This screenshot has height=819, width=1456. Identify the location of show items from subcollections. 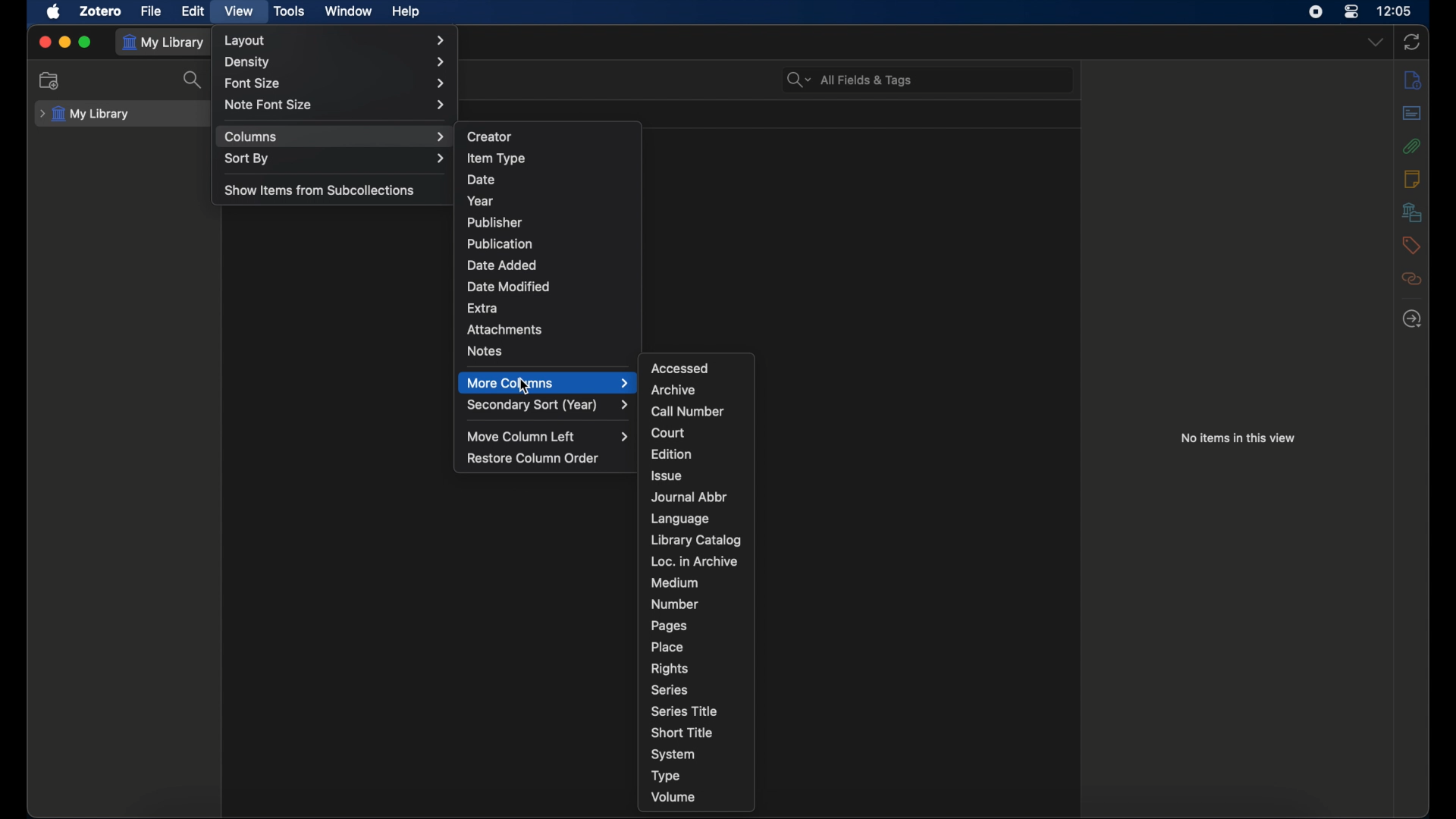
(322, 190).